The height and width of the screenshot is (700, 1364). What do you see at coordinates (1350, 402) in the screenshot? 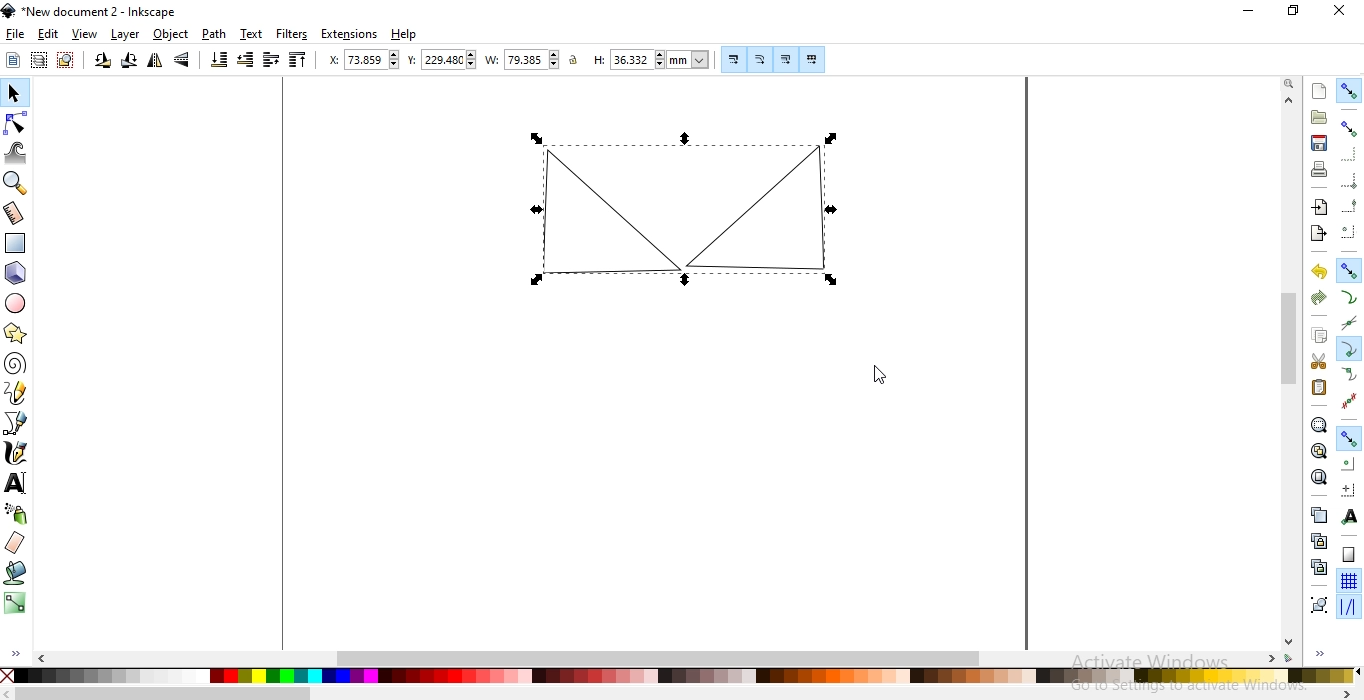
I see `snap midpoints of line segments` at bounding box center [1350, 402].